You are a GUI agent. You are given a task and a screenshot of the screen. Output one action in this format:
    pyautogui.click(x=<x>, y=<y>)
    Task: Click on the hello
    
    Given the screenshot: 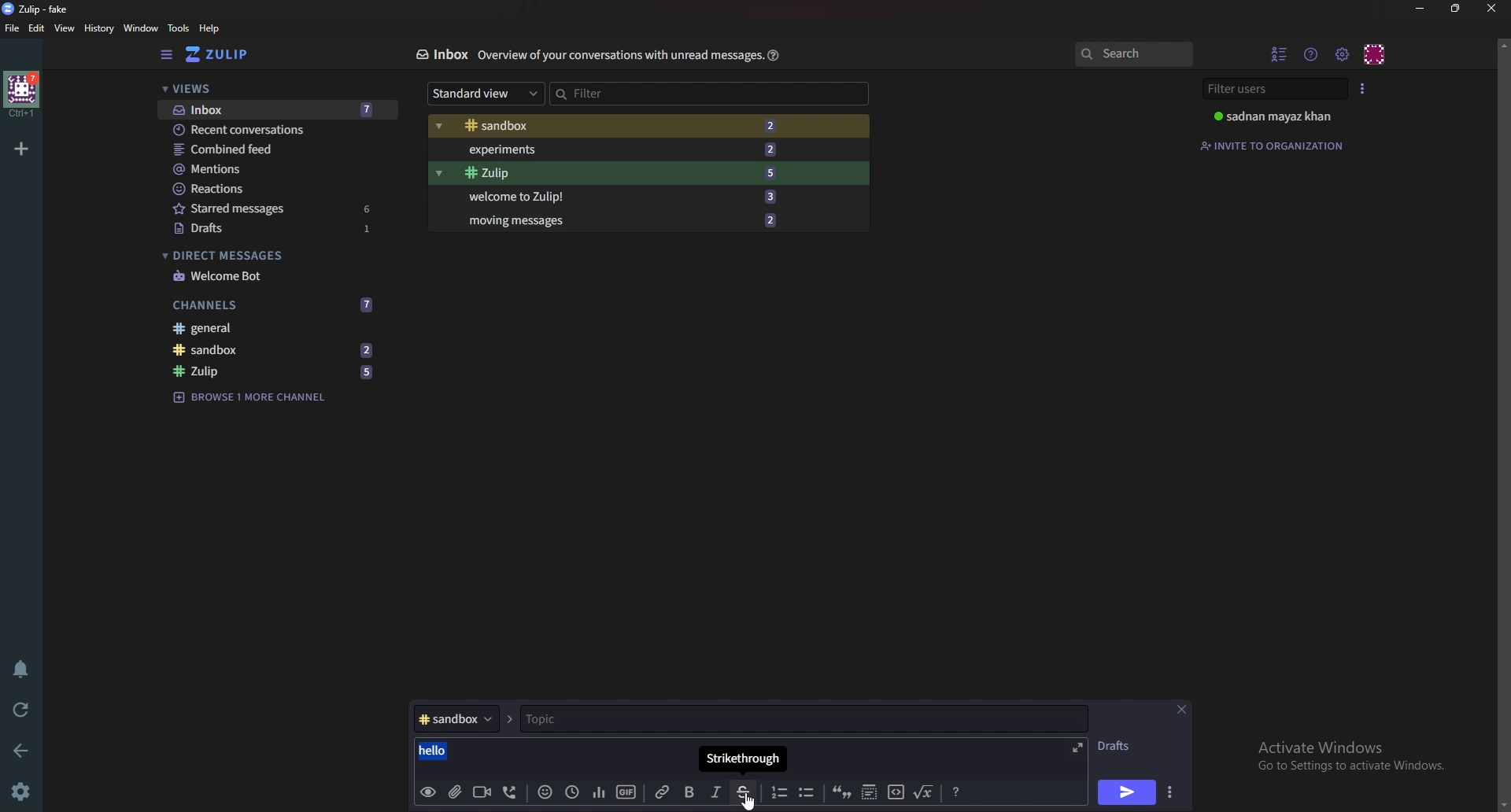 What is the action you would take?
    pyautogui.click(x=441, y=749)
    